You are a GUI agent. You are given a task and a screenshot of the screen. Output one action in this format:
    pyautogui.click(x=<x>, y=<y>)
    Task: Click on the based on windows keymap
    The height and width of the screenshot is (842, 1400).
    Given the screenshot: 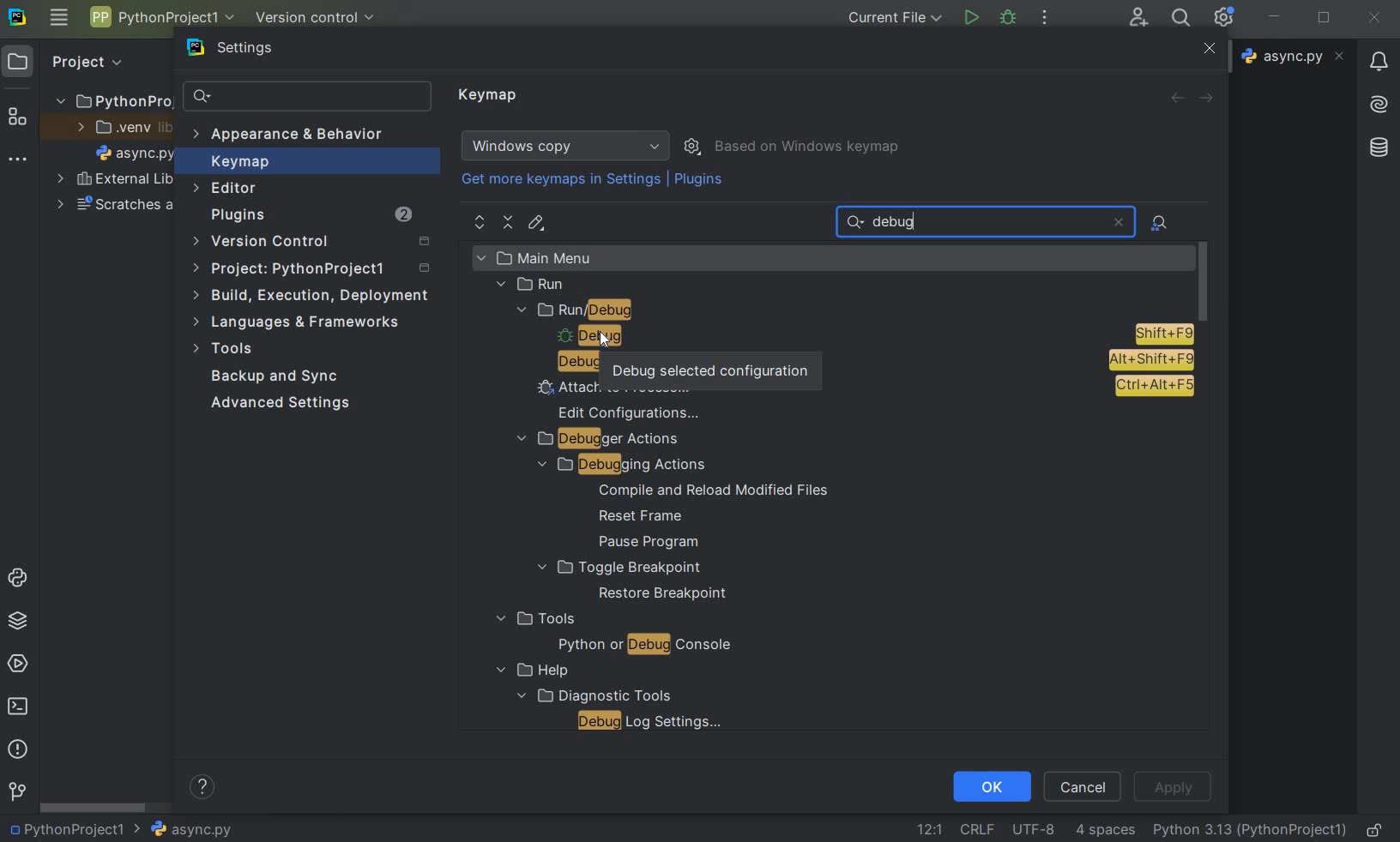 What is the action you would take?
    pyautogui.click(x=808, y=147)
    